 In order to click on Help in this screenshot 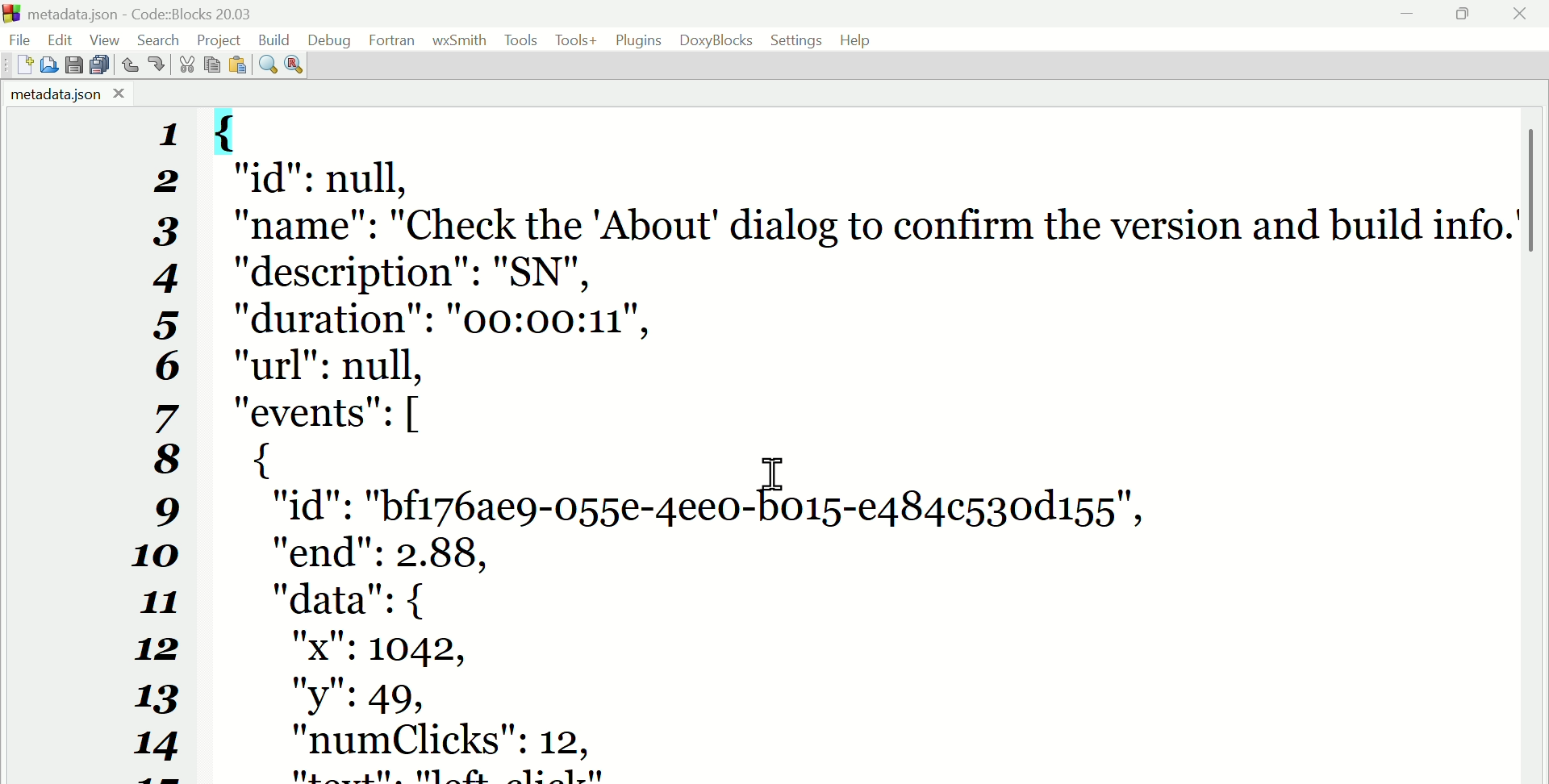, I will do `click(860, 40)`.